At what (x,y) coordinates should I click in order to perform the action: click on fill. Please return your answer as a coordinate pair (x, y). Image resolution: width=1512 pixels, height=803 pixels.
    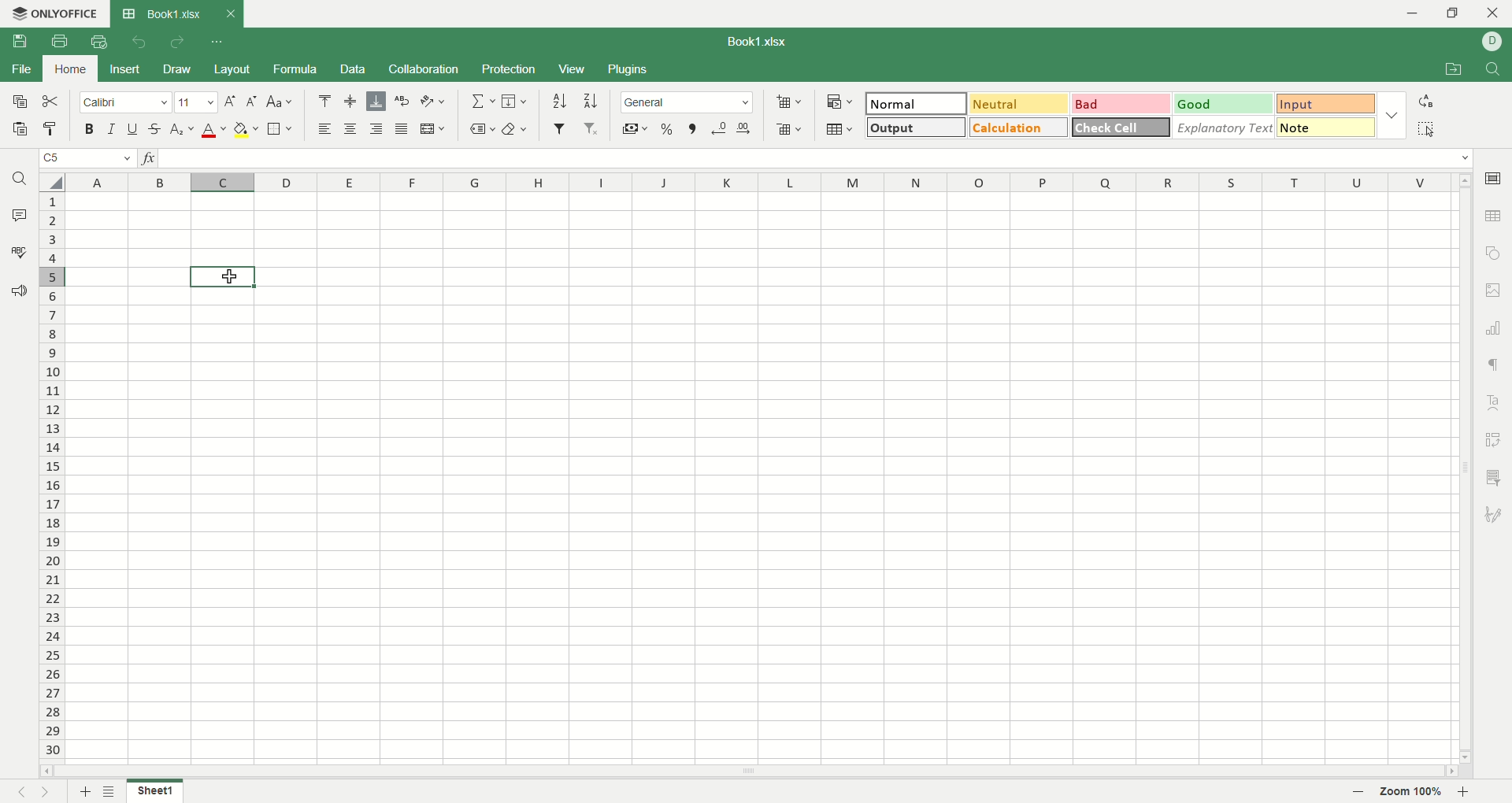
    Looking at the image, I should click on (514, 102).